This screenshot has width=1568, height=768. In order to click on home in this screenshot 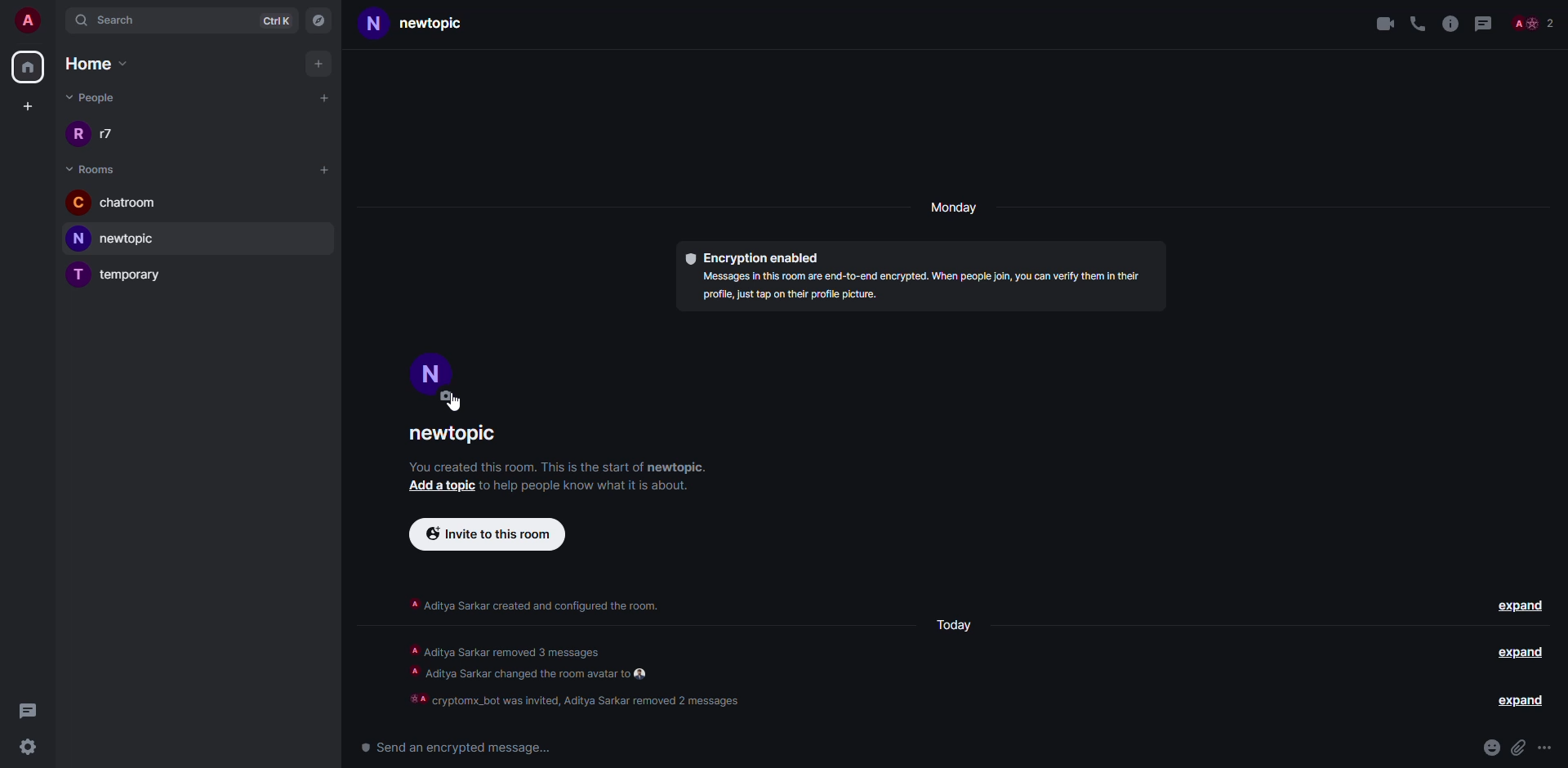, I will do `click(106, 64)`.